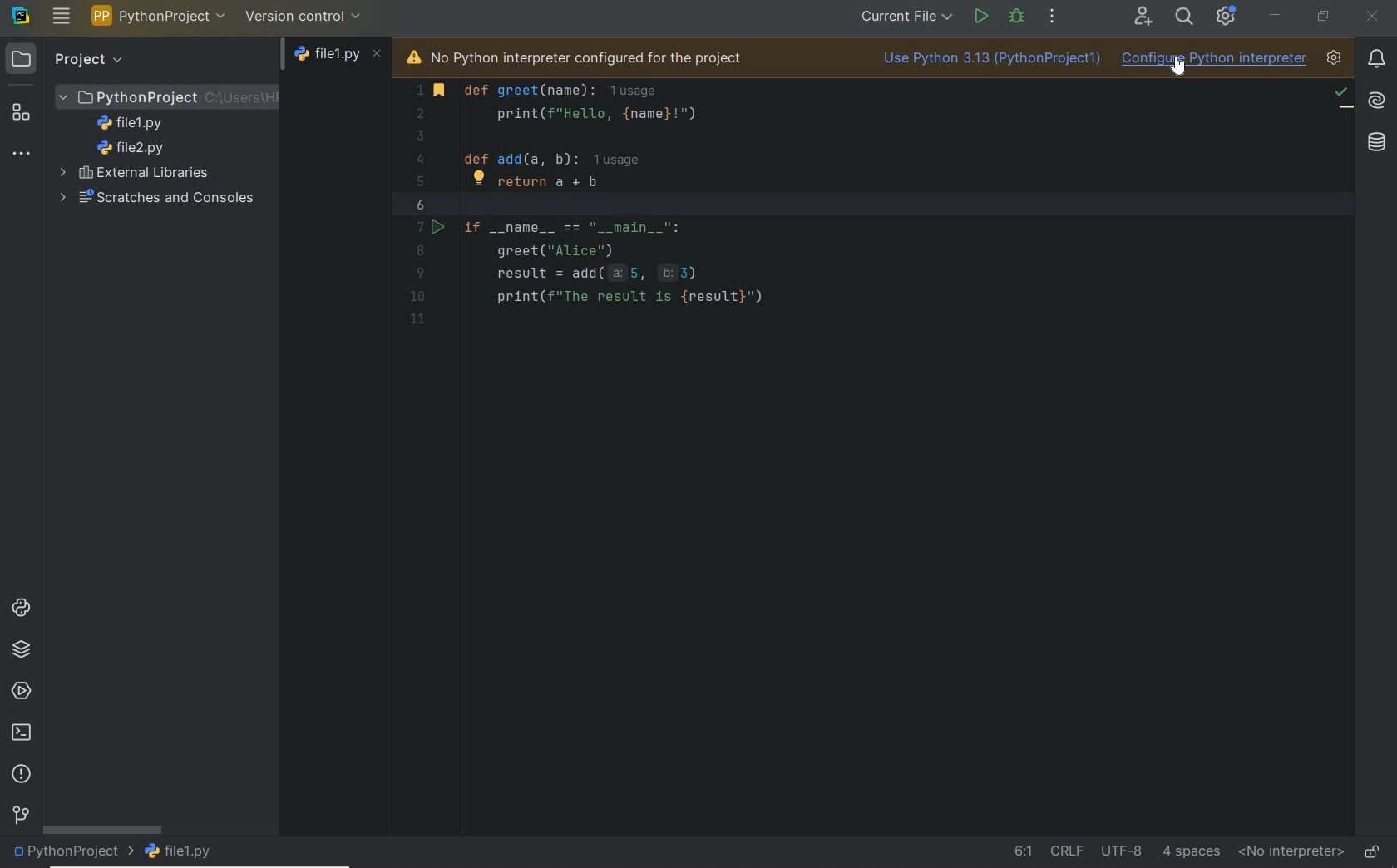 The image size is (1397, 868). What do you see at coordinates (988, 61) in the screenshot?
I see `Use Python 3.13 (PythonProject1)` at bounding box center [988, 61].